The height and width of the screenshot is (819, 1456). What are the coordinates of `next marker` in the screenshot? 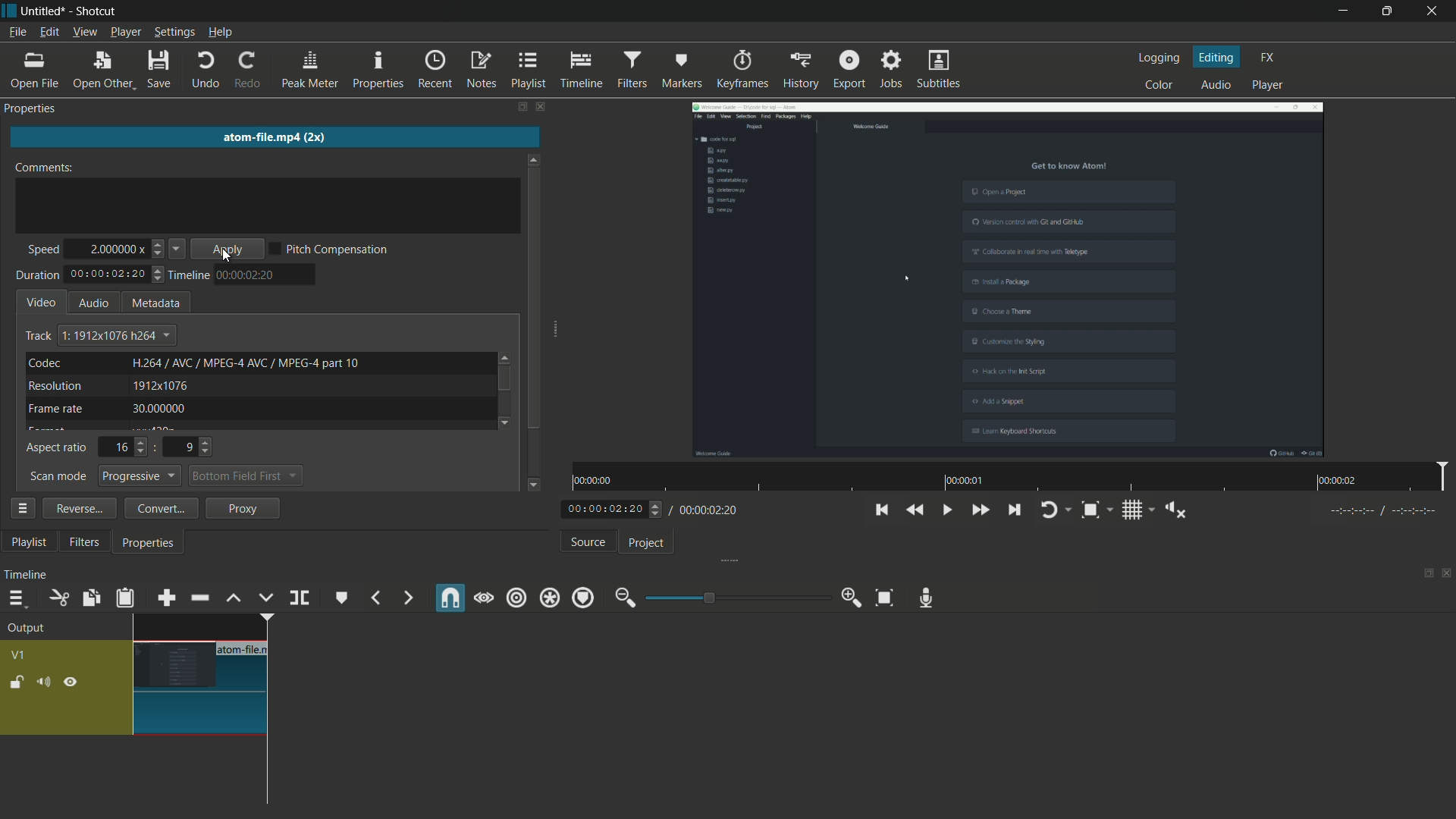 It's located at (406, 598).